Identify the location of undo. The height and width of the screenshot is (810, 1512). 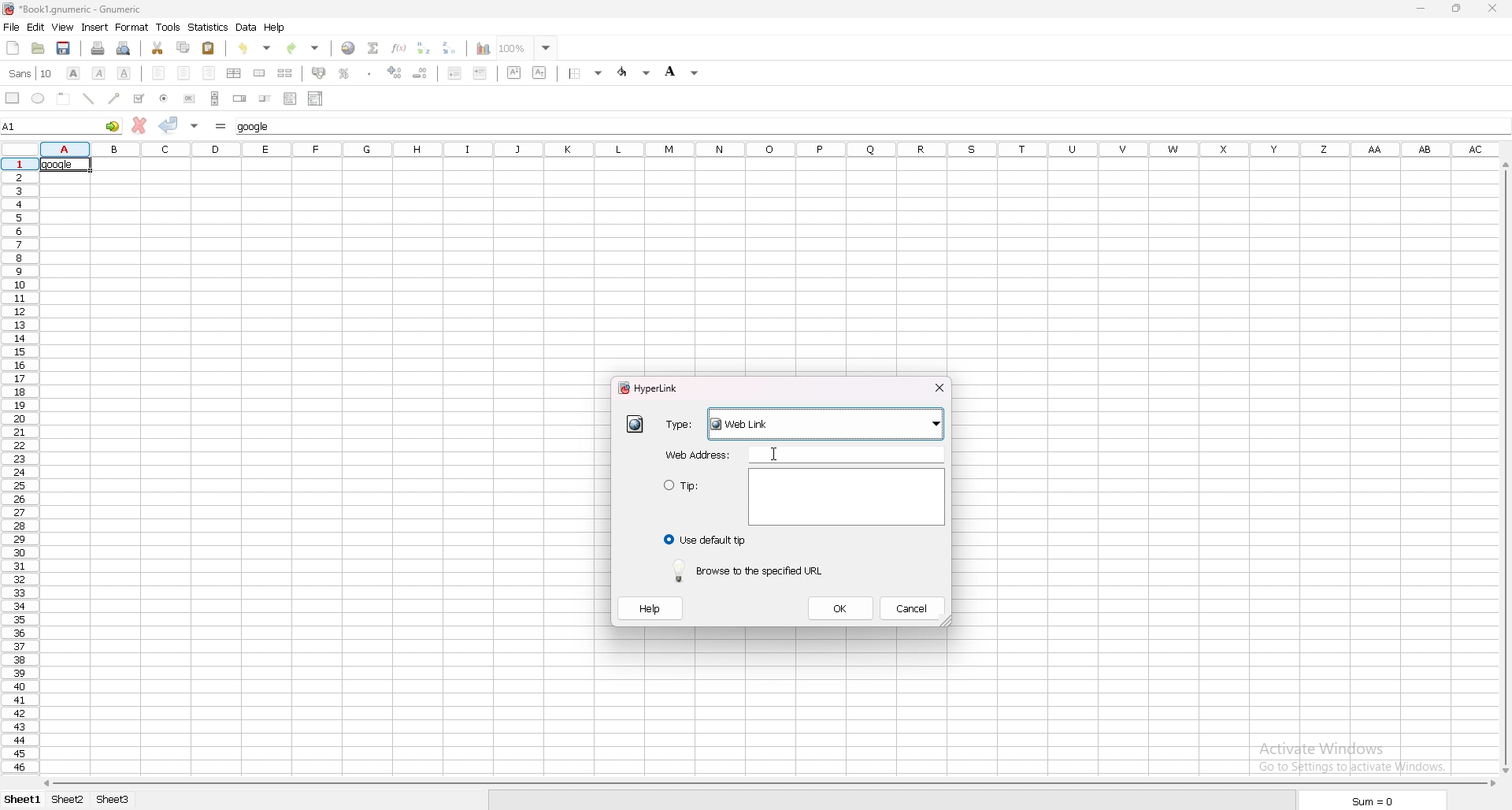
(256, 48).